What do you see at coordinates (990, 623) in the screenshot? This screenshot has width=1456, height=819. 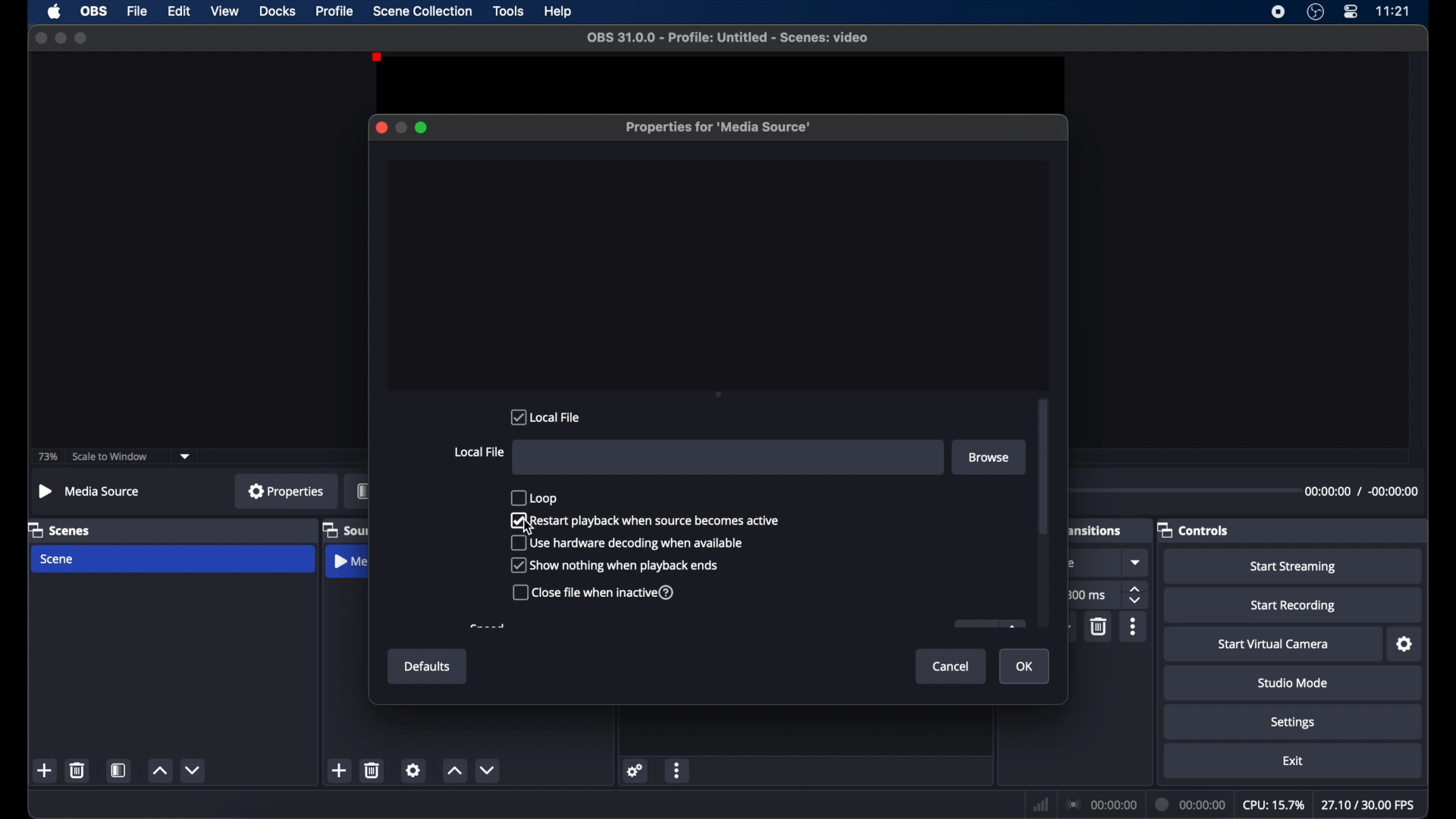 I see `obscure icon` at bounding box center [990, 623].